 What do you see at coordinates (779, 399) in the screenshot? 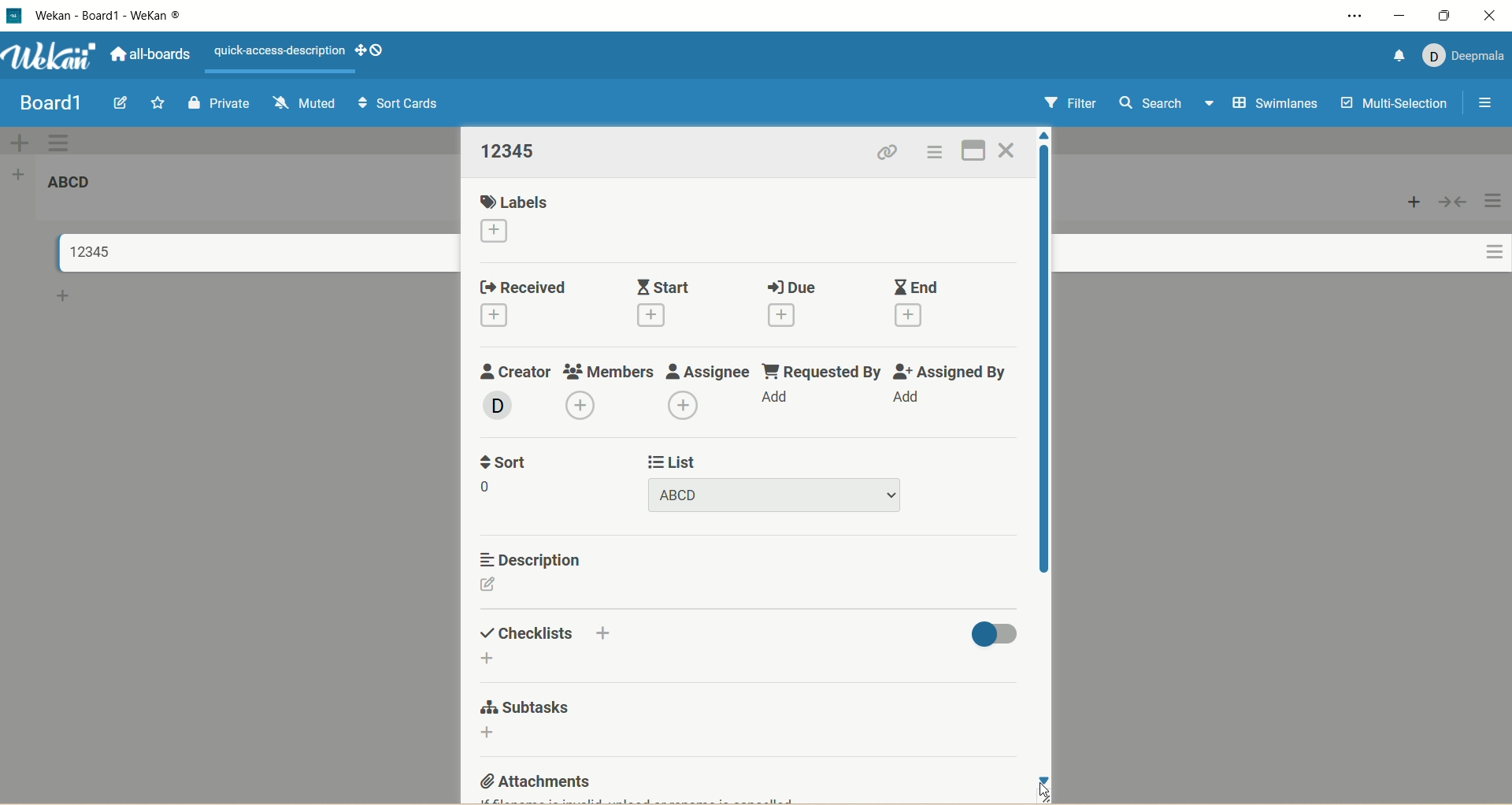
I see `add` at bounding box center [779, 399].